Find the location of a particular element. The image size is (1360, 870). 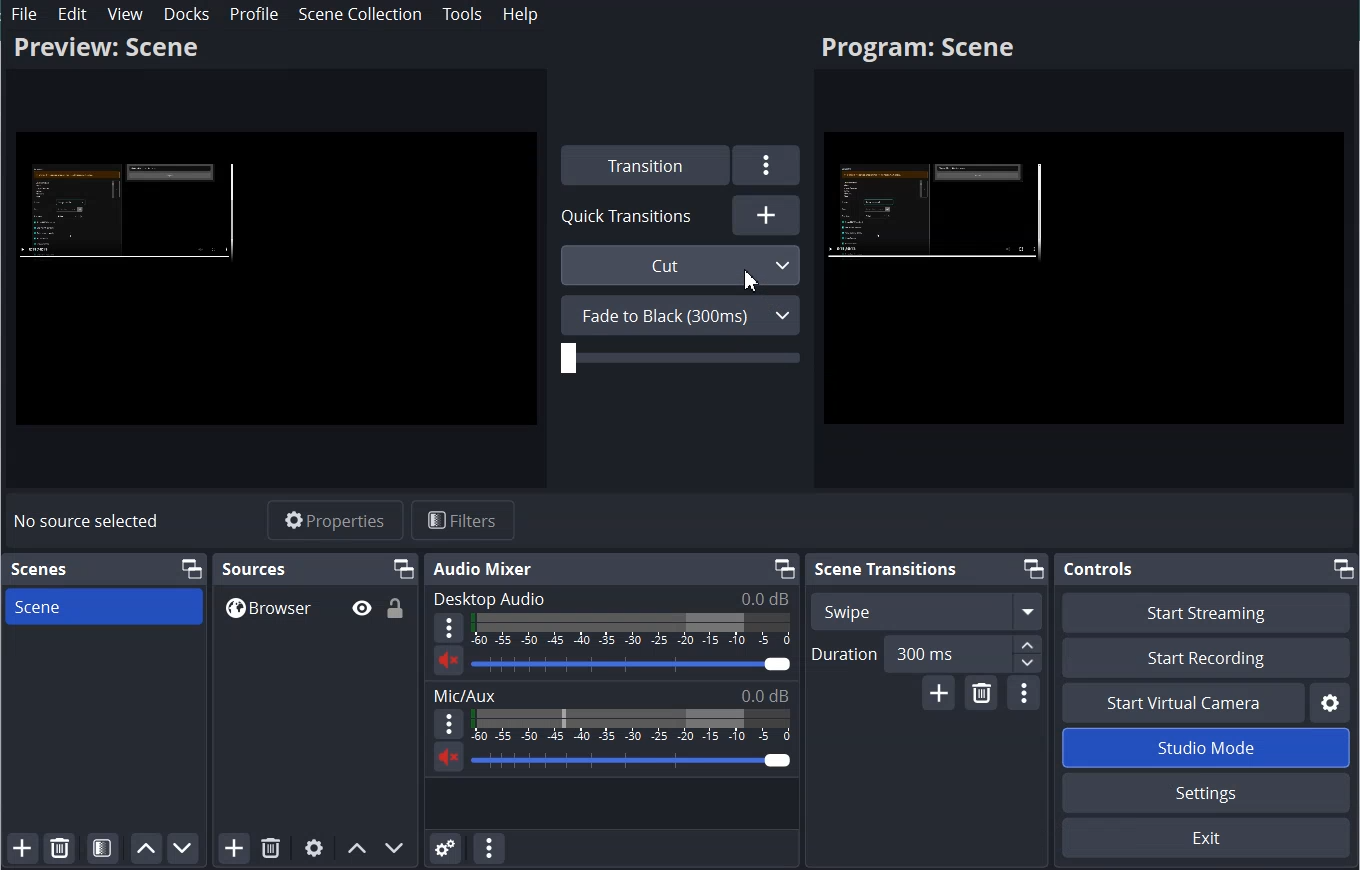

File is located at coordinates (25, 14).